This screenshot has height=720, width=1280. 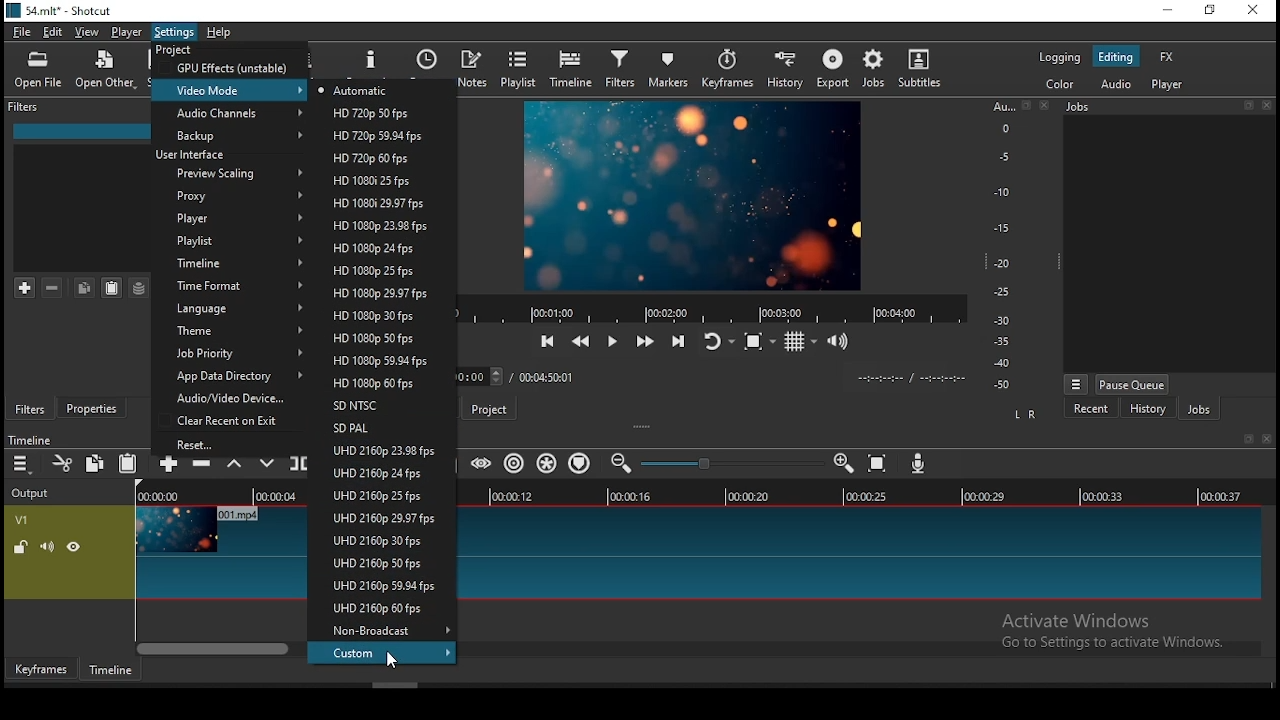 What do you see at coordinates (1115, 83) in the screenshot?
I see `audio` at bounding box center [1115, 83].